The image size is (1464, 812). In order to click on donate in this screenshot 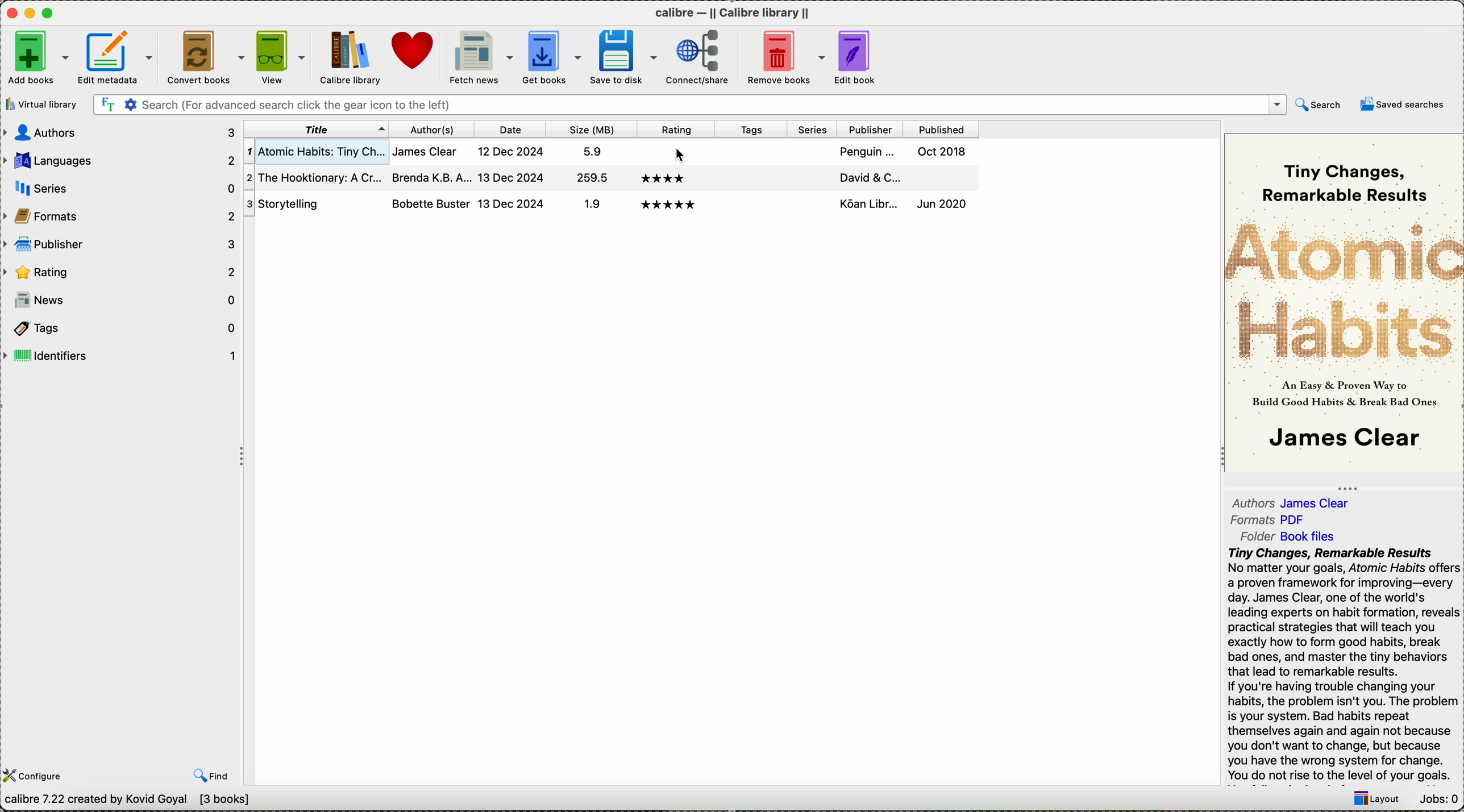, I will do `click(414, 51)`.